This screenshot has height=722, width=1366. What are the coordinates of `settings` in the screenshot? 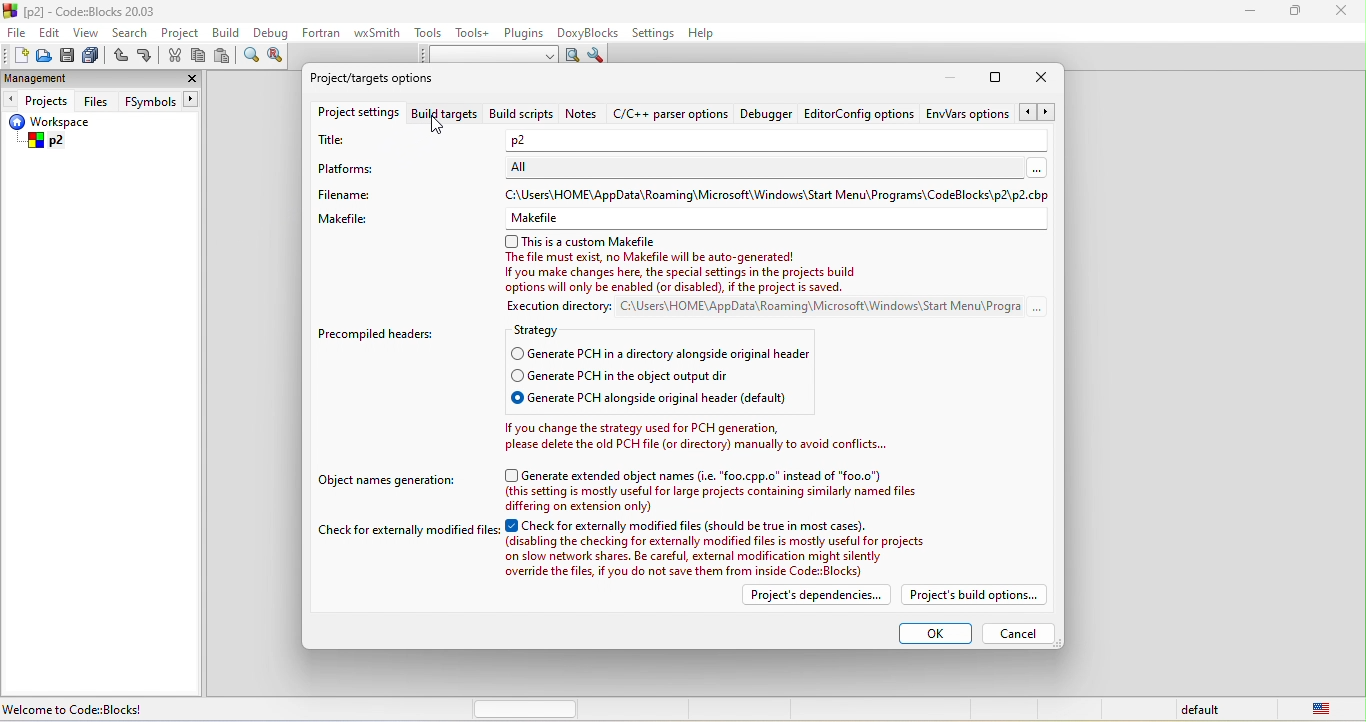 It's located at (655, 32).